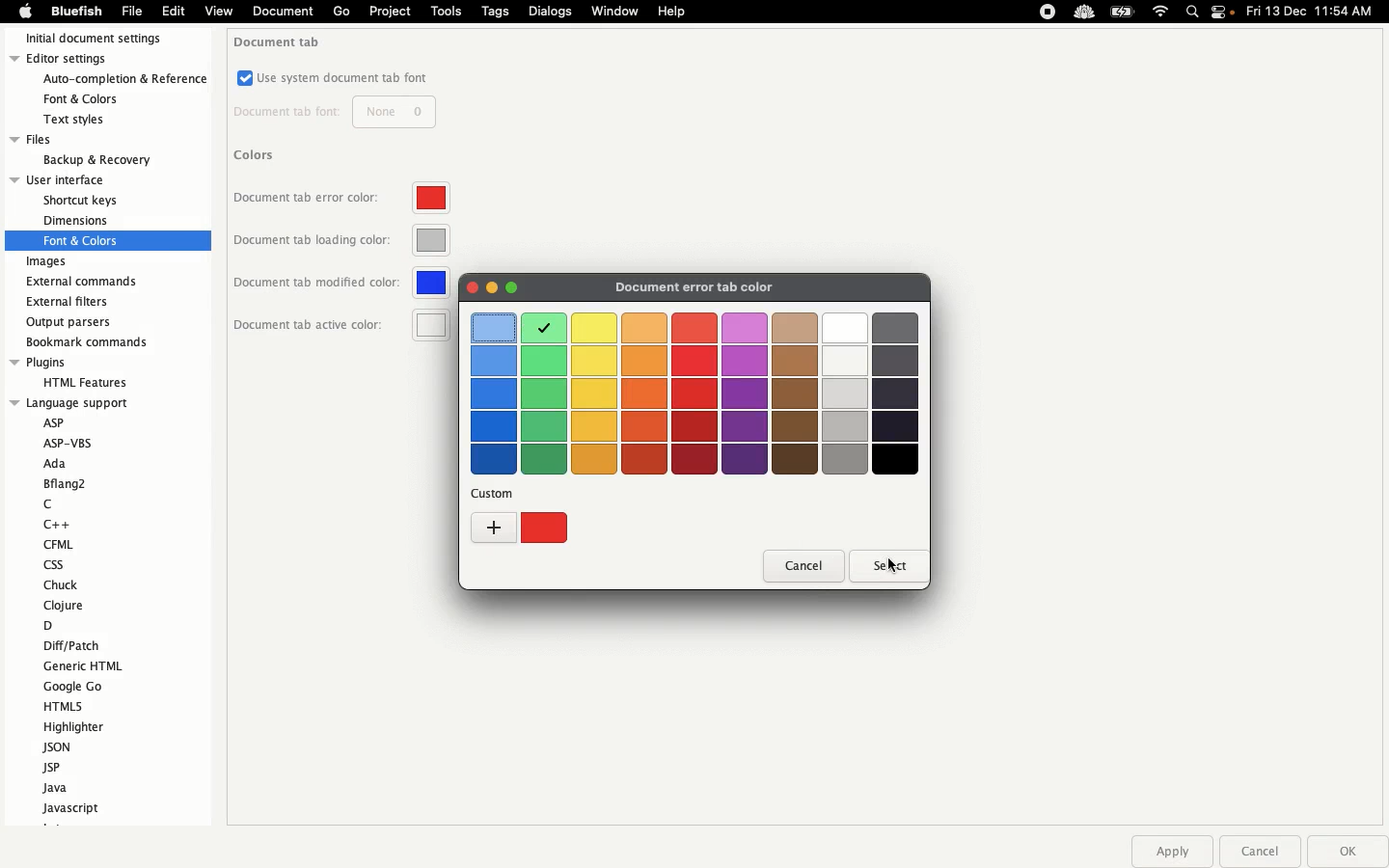  I want to click on Go, so click(341, 12).